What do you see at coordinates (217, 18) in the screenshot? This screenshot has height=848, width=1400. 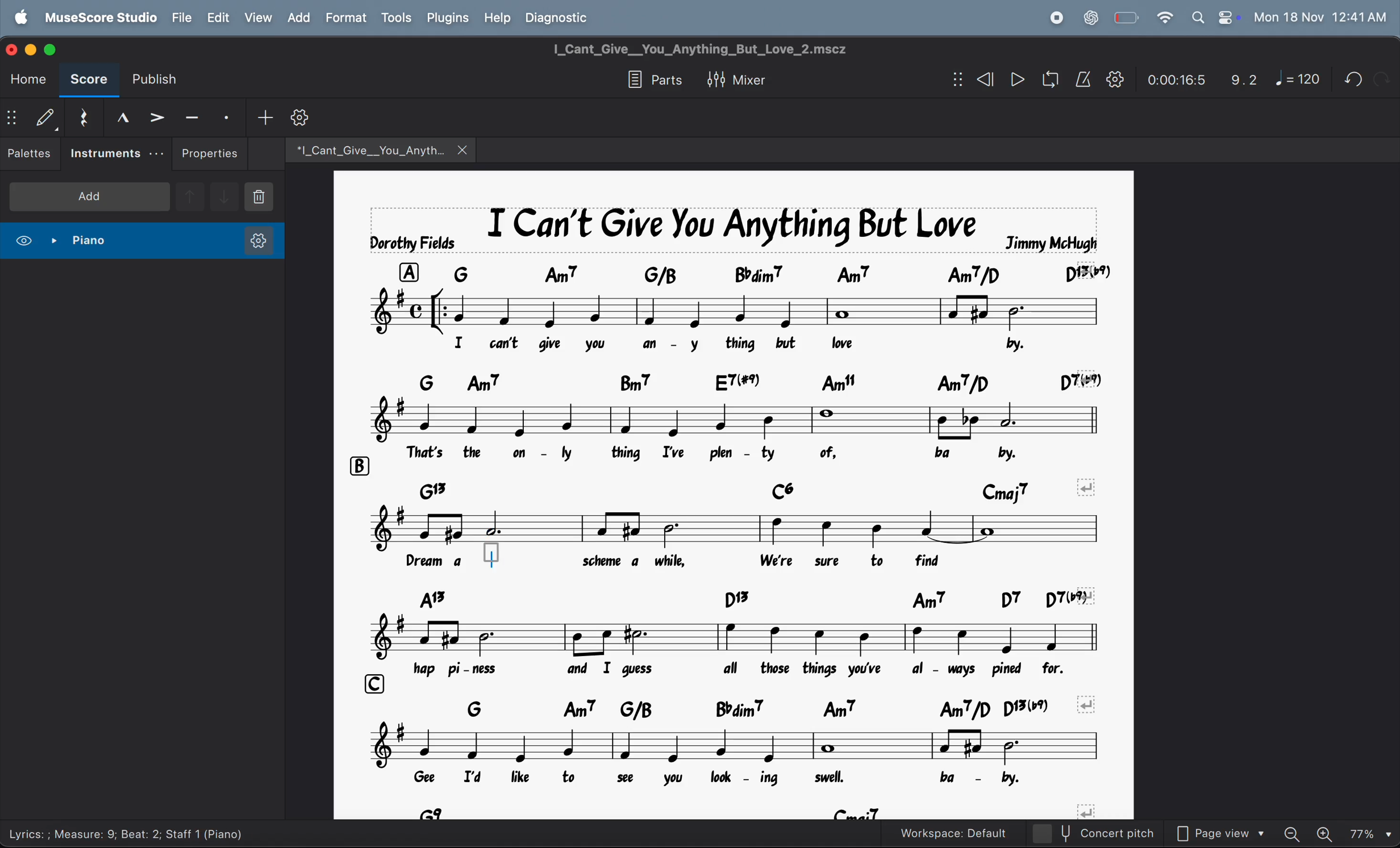 I see `edit` at bounding box center [217, 18].